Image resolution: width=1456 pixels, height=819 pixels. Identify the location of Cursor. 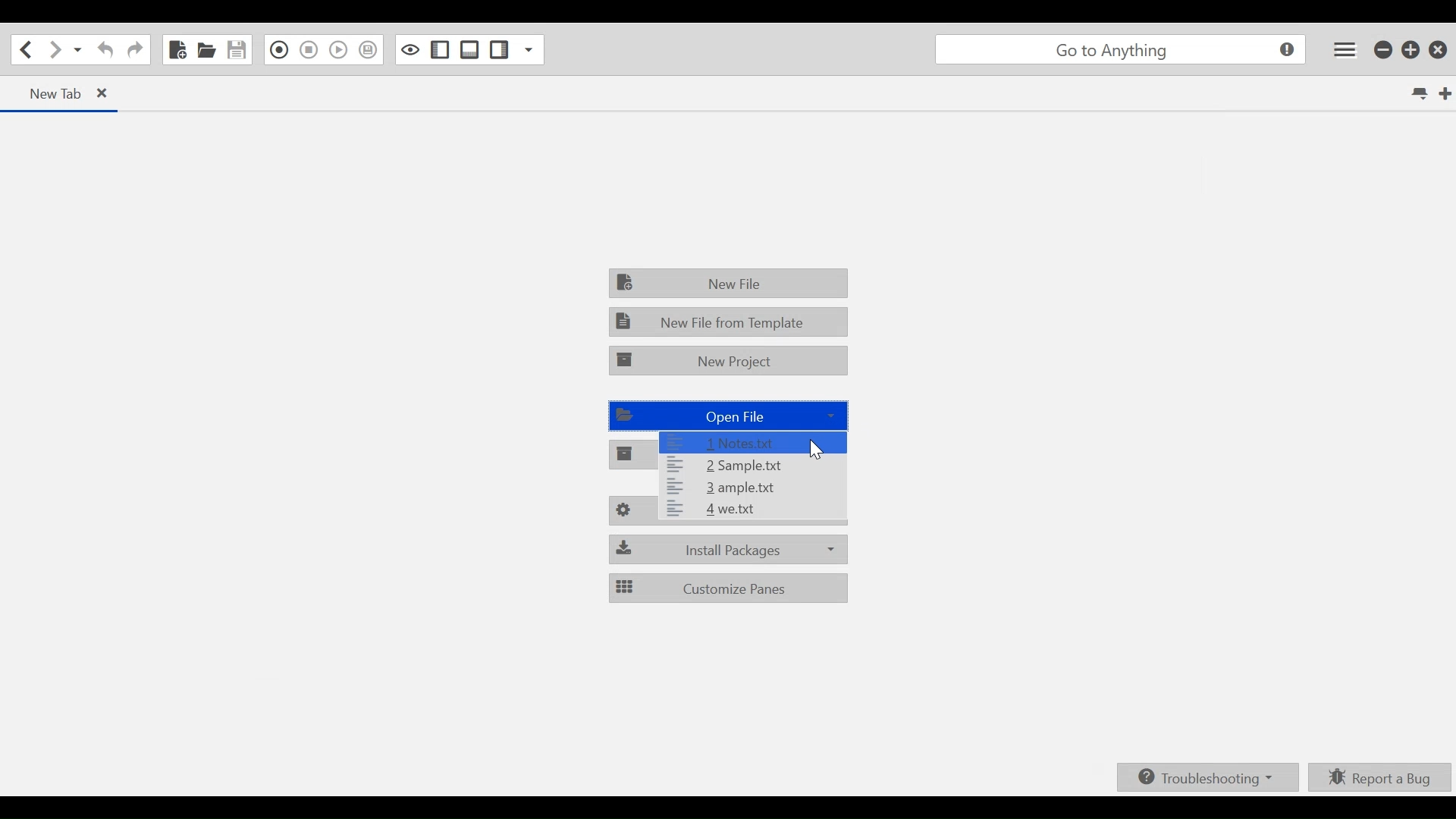
(818, 450).